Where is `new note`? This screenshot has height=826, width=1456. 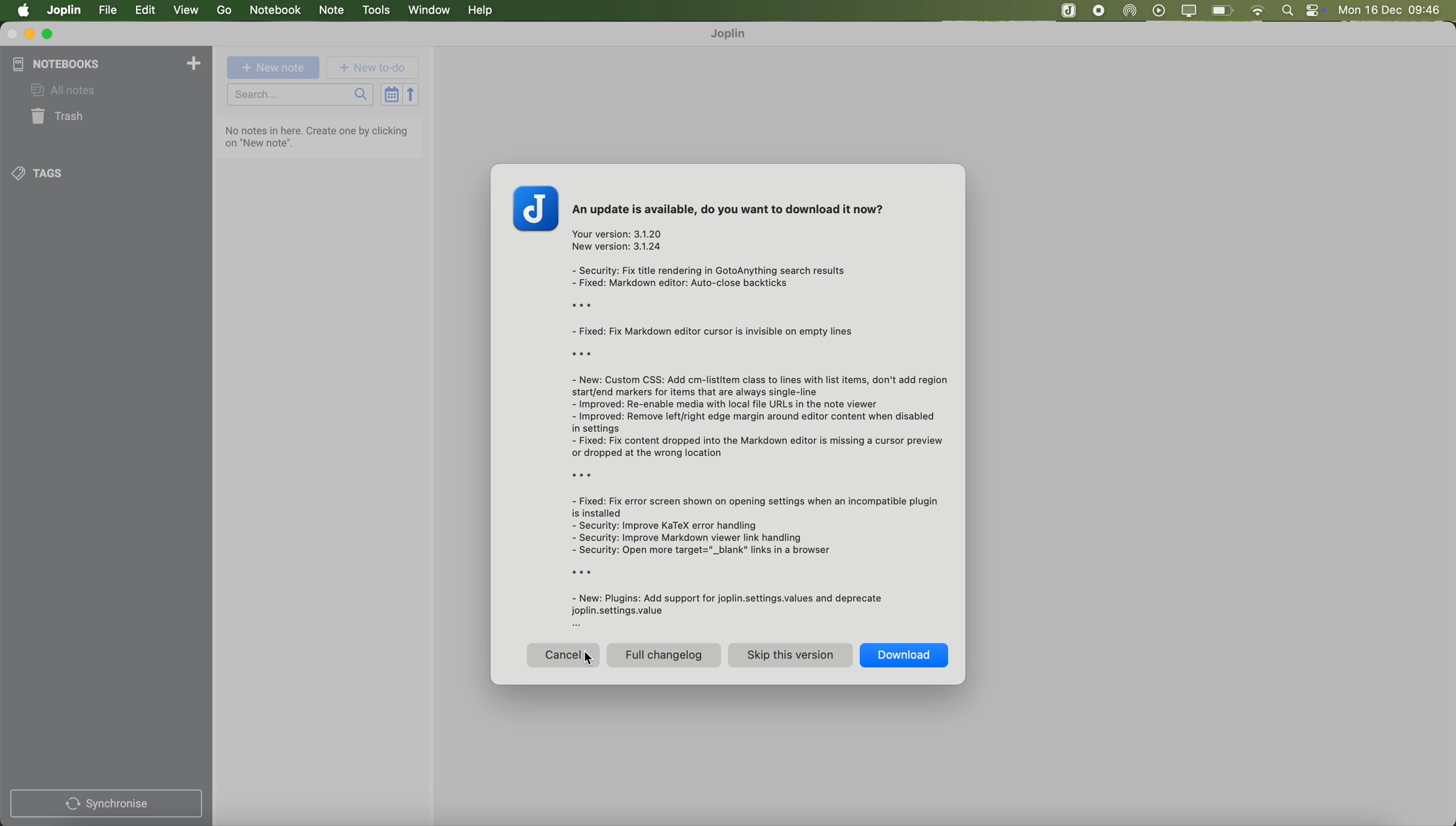 new note is located at coordinates (276, 70).